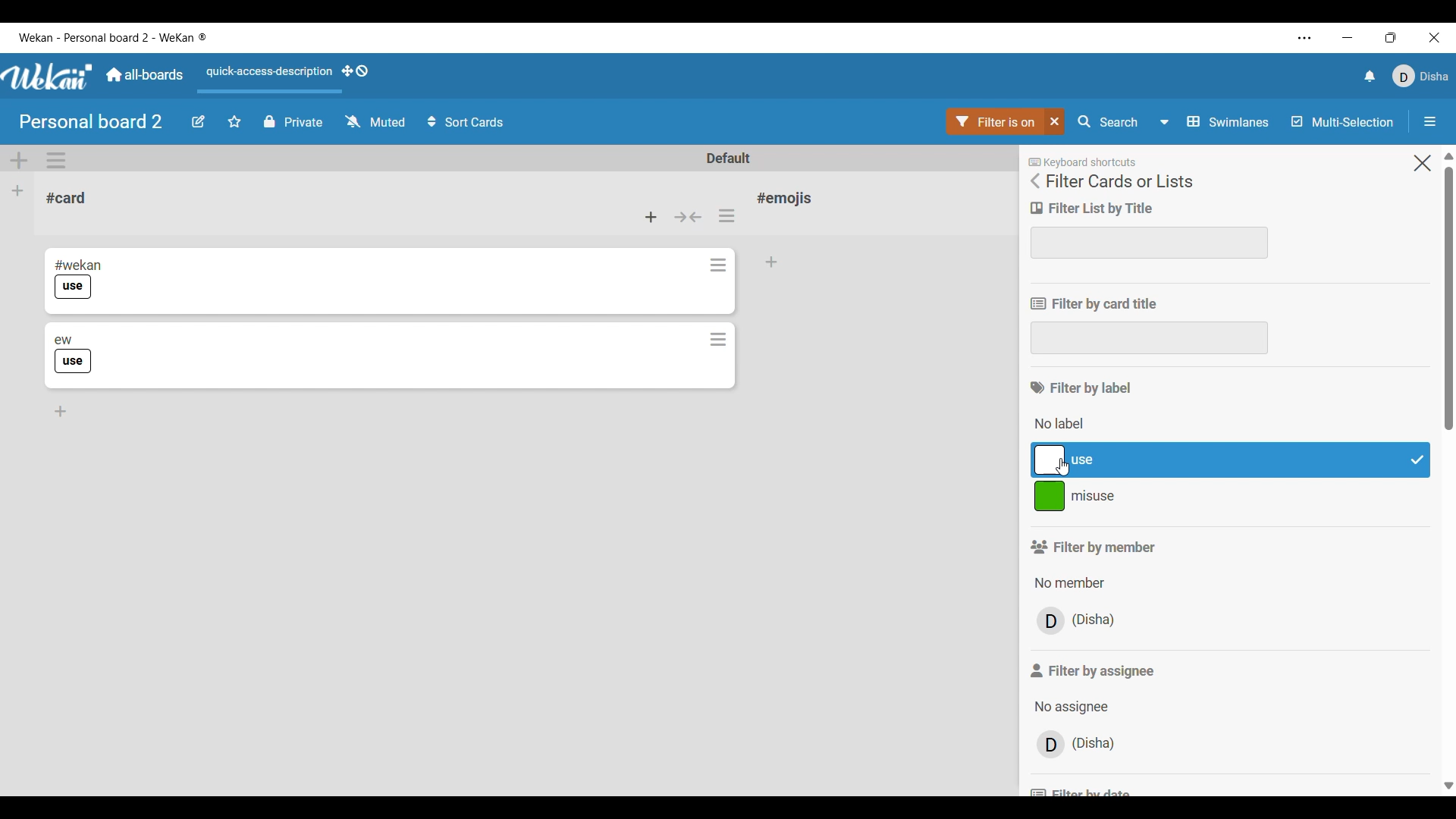 The height and width of the screenshot is (819, 1456). I want to click on Add list, so click(17, 191).